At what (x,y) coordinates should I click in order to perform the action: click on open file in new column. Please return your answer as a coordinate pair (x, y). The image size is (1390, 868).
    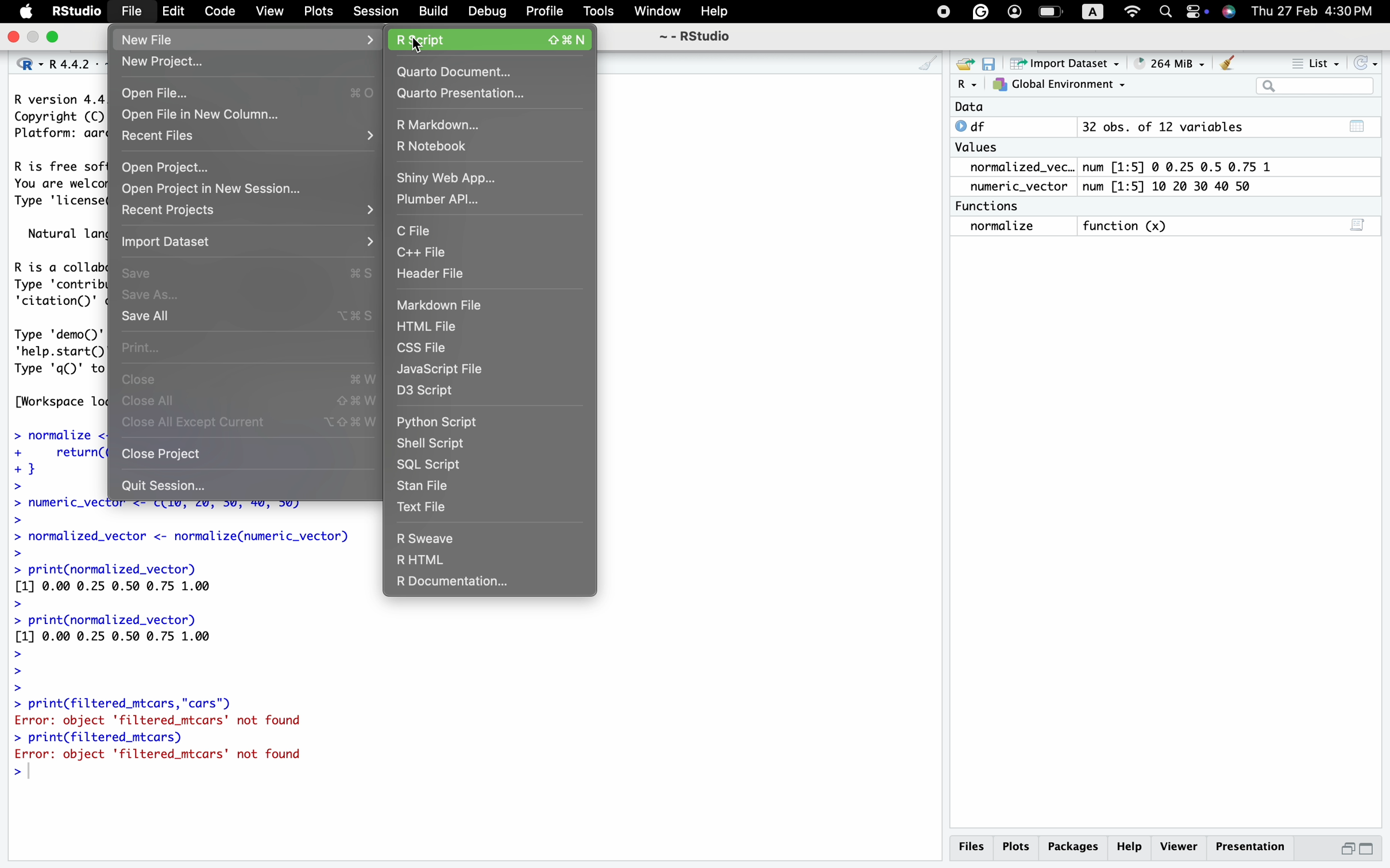
    Looking at the image, I should click on (252, 115).